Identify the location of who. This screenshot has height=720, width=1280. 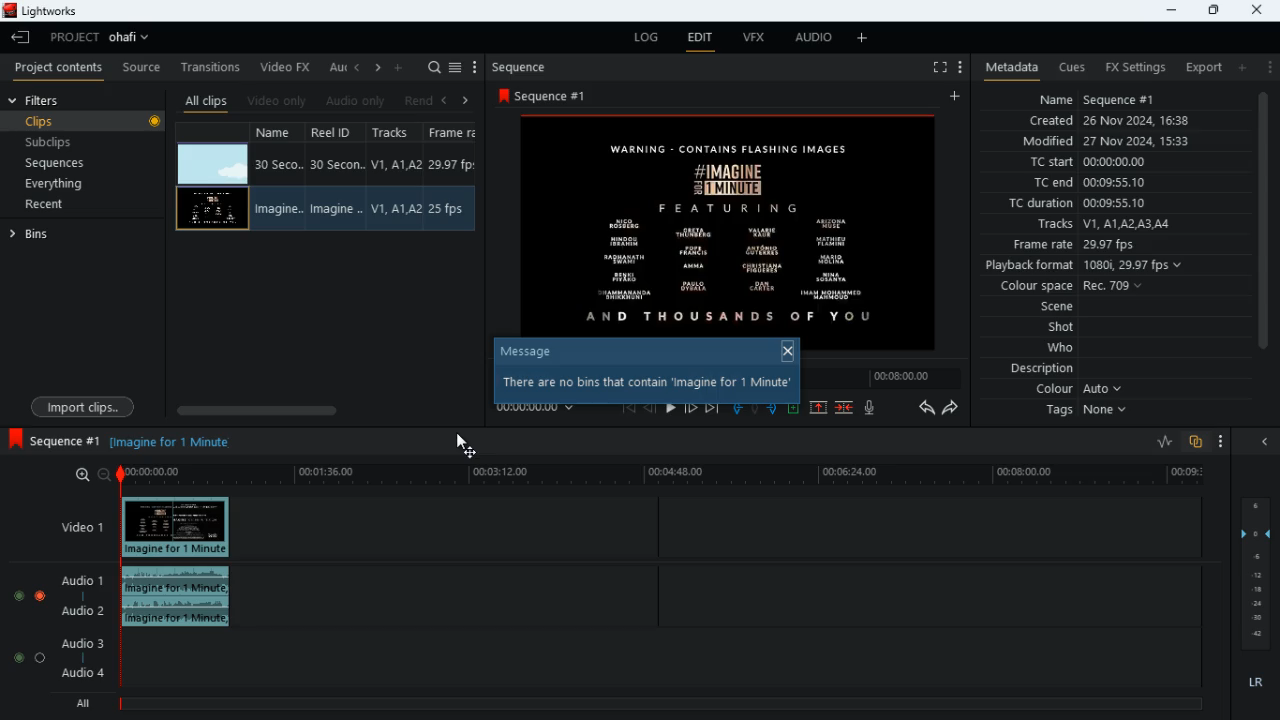
(1065, 347).